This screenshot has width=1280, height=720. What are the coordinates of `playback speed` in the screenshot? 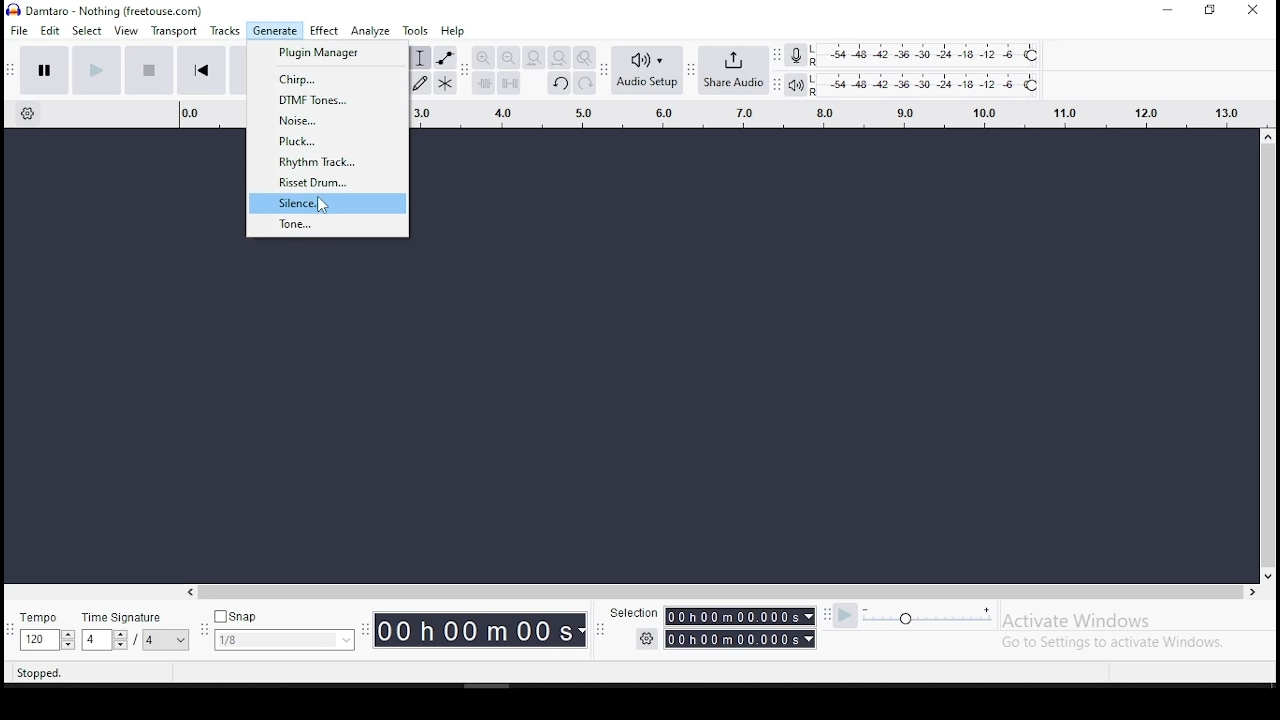 It's located at (925, 619).